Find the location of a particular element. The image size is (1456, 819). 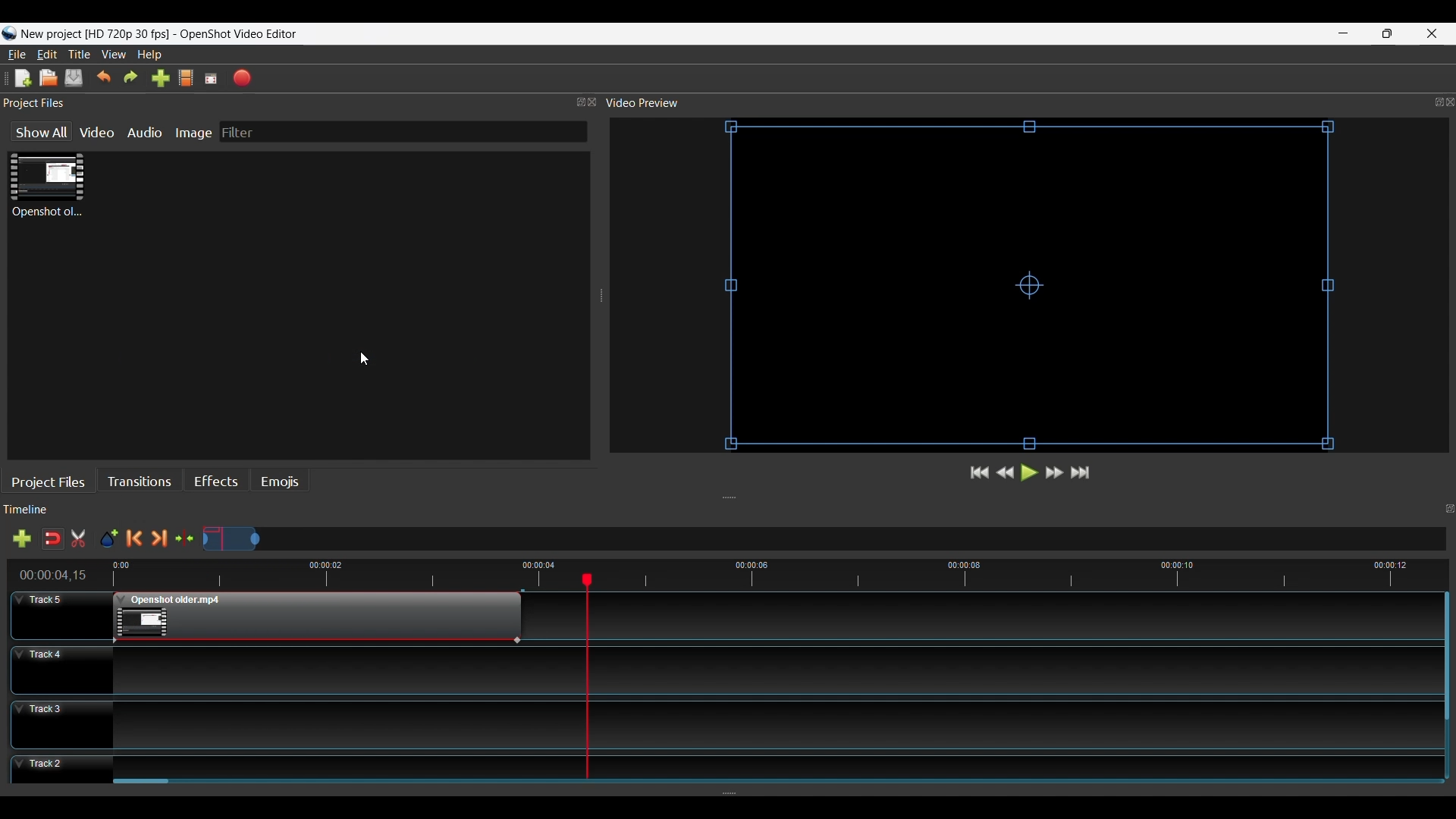

Preview is located at coordinates (1006, 474).